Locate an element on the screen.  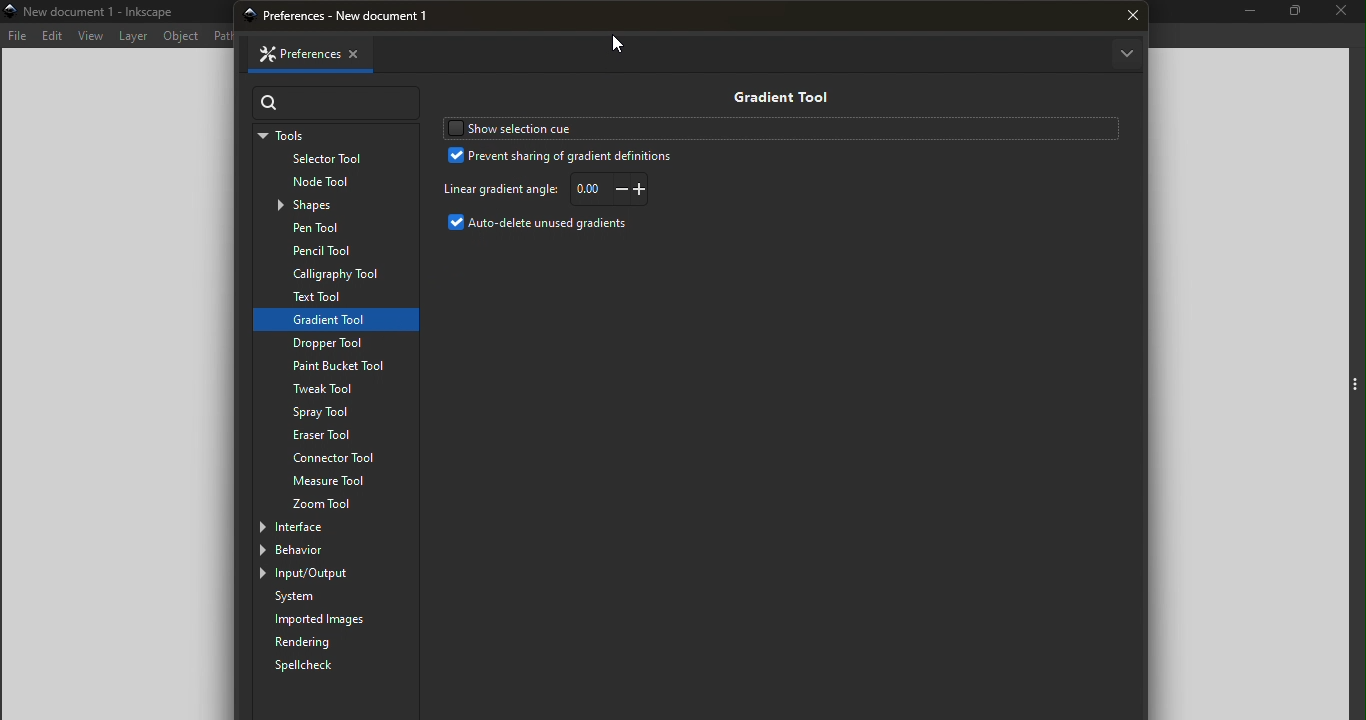
Behavior is located at coordinates (321, 550).